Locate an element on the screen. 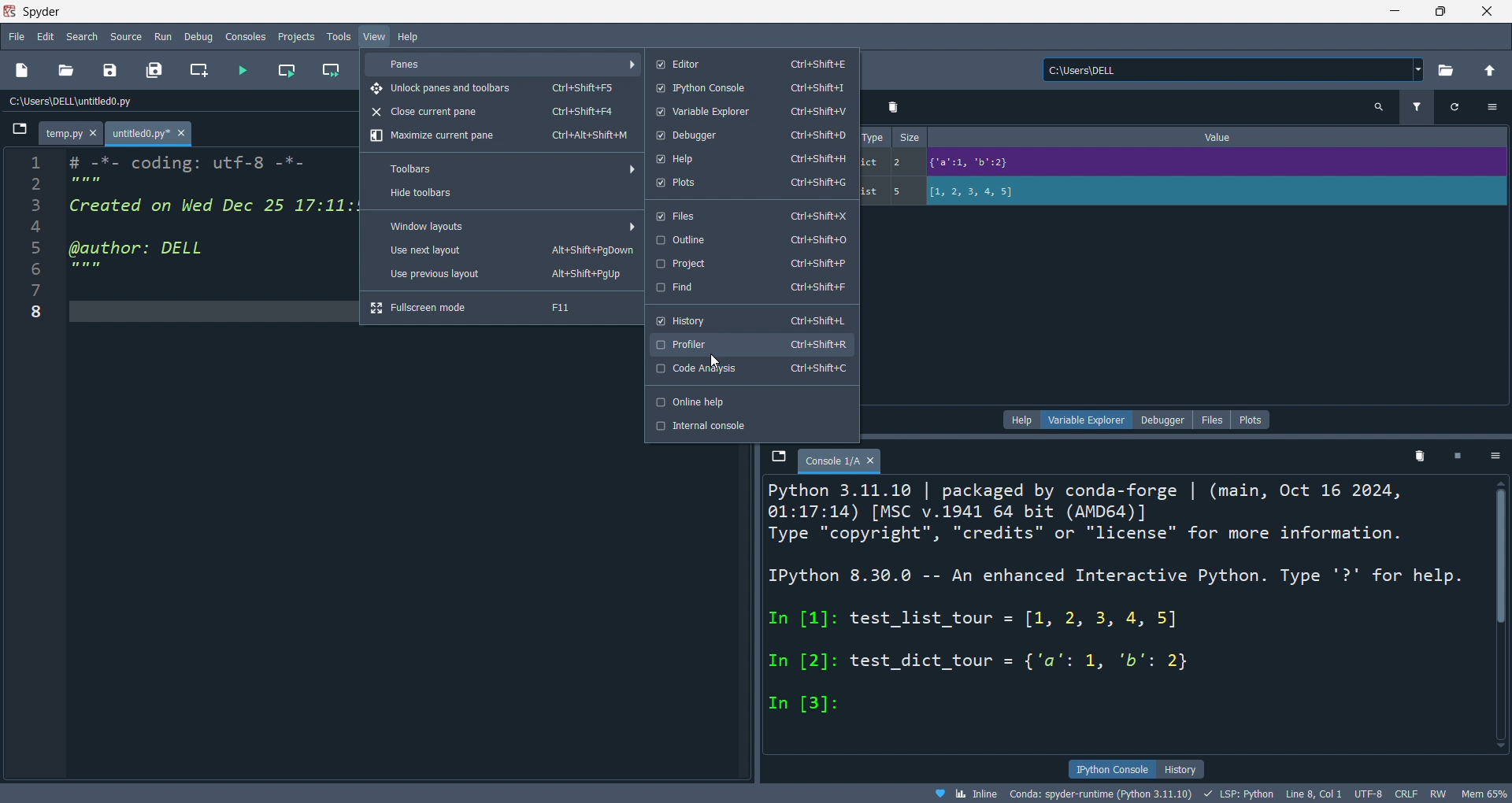  edit is located at coordinates (47, 38).